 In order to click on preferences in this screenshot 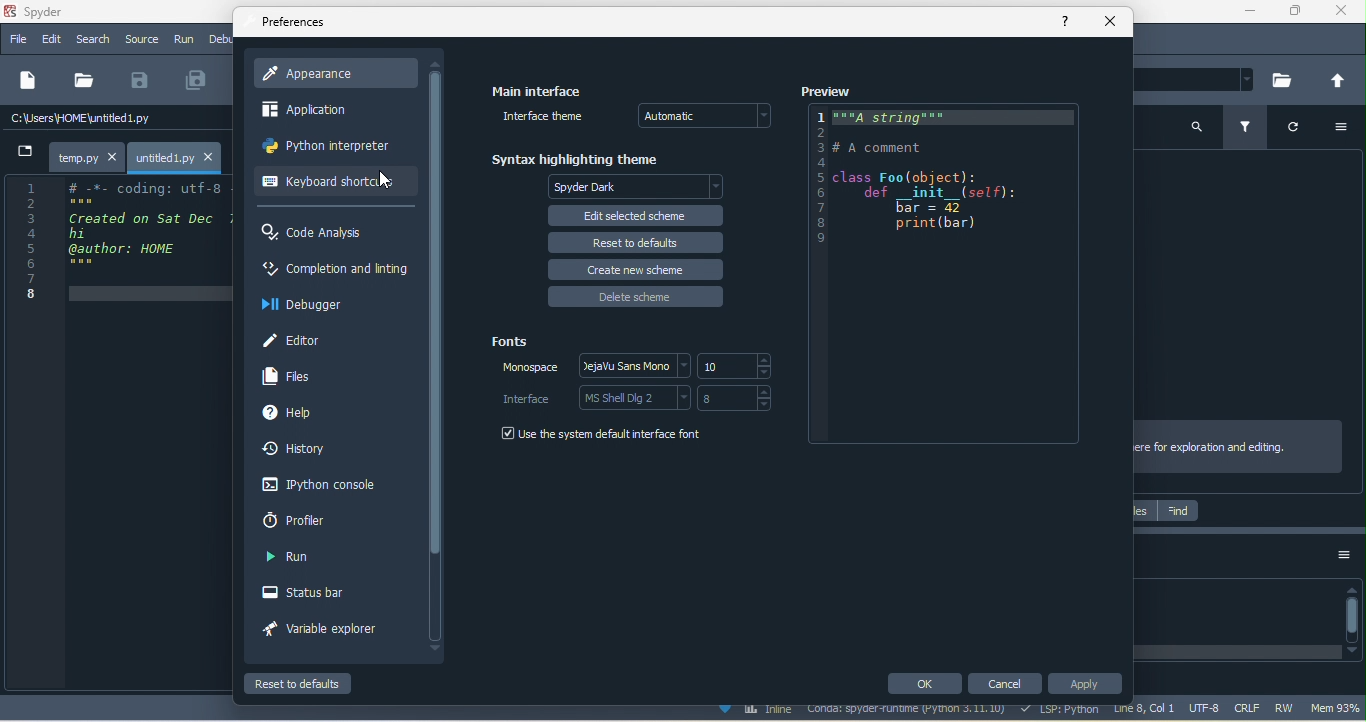, I will do `click(295, 25)`.